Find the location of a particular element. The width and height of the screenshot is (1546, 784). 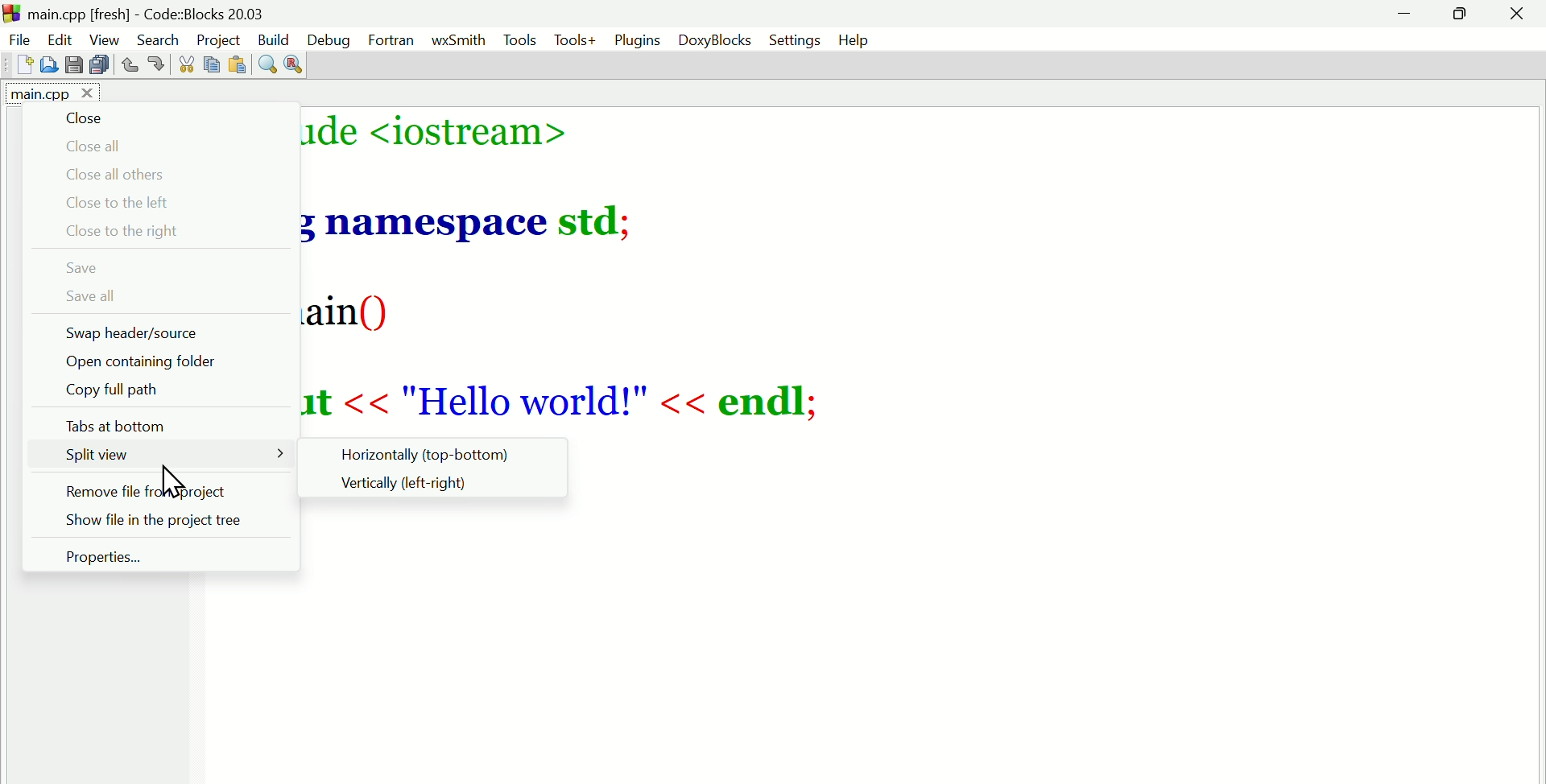

help is located at coordinates (855, 41).